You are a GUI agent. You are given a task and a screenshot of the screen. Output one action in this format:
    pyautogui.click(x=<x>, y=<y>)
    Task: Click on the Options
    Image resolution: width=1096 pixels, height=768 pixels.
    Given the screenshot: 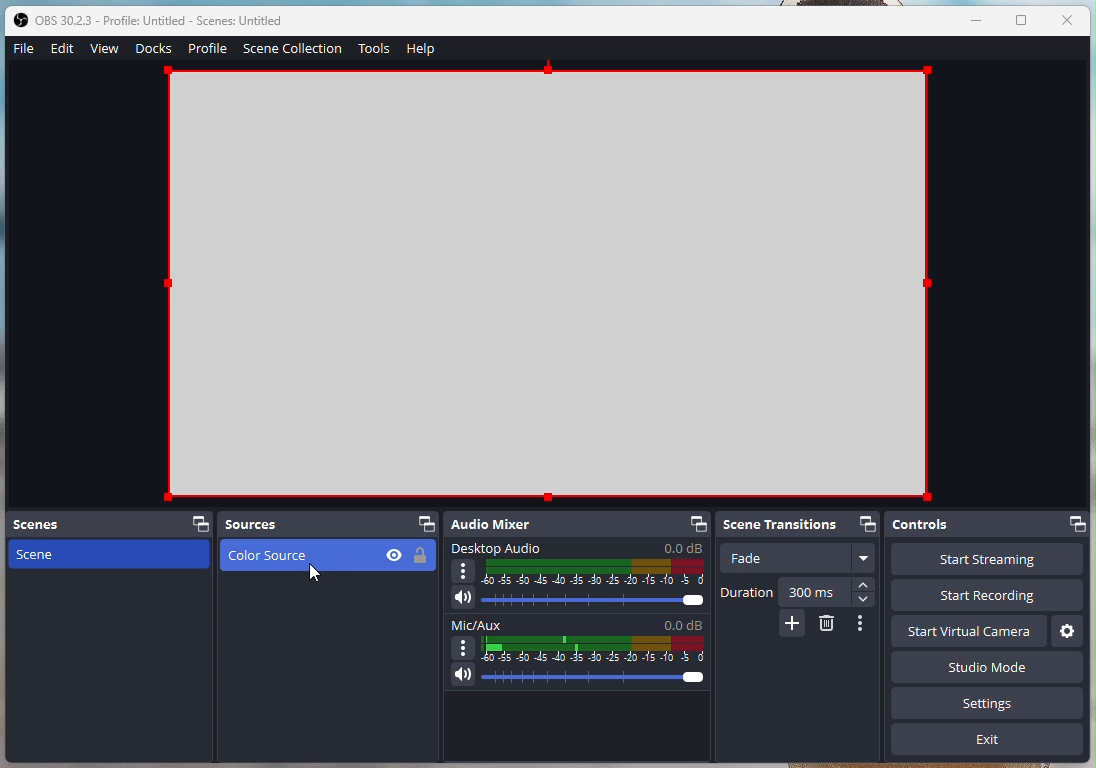 What is the action you would take?
    pyautogui.click(x=864, y=623)
    